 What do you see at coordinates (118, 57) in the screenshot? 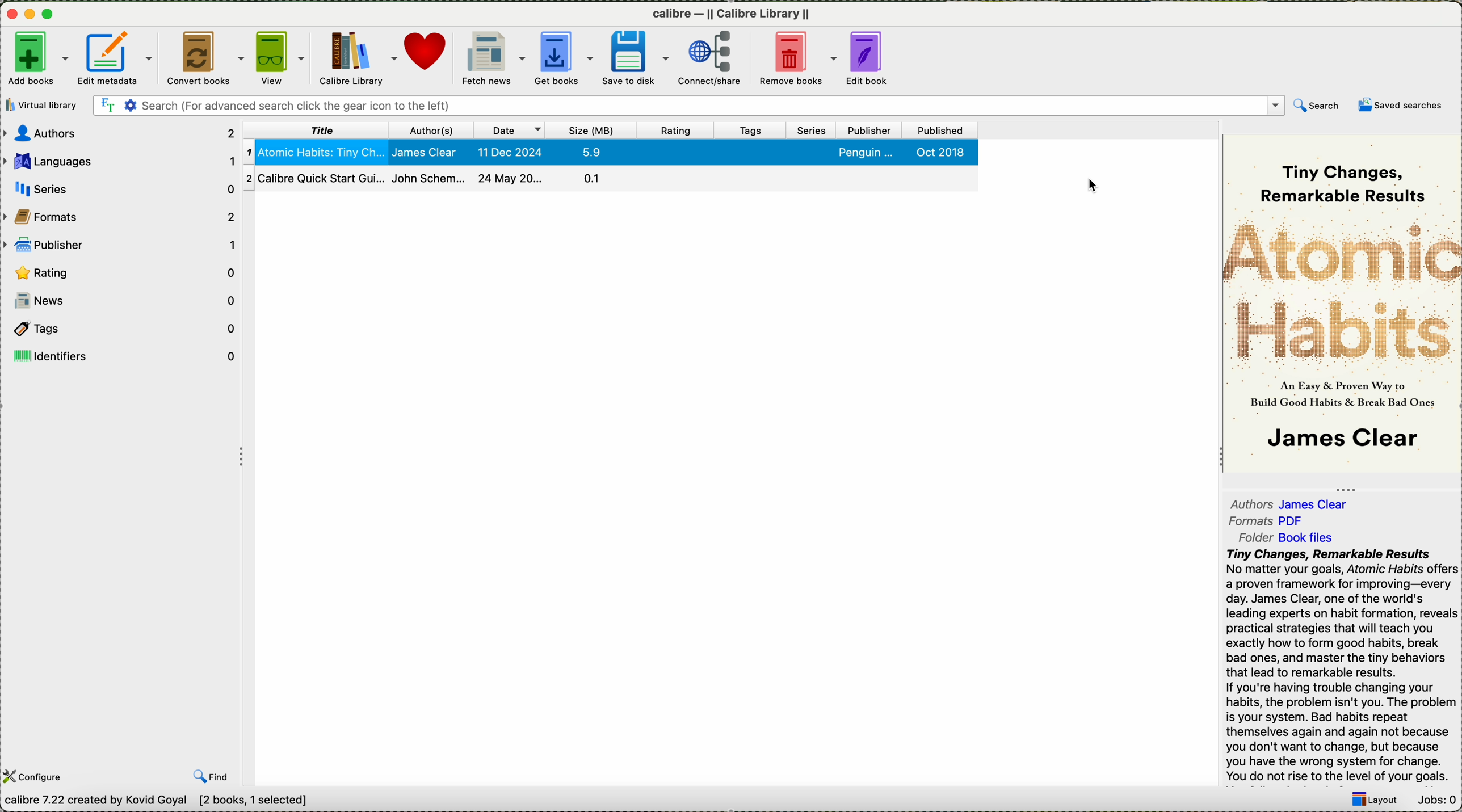
I see `edit metadata` at bounding box center [118, 57].